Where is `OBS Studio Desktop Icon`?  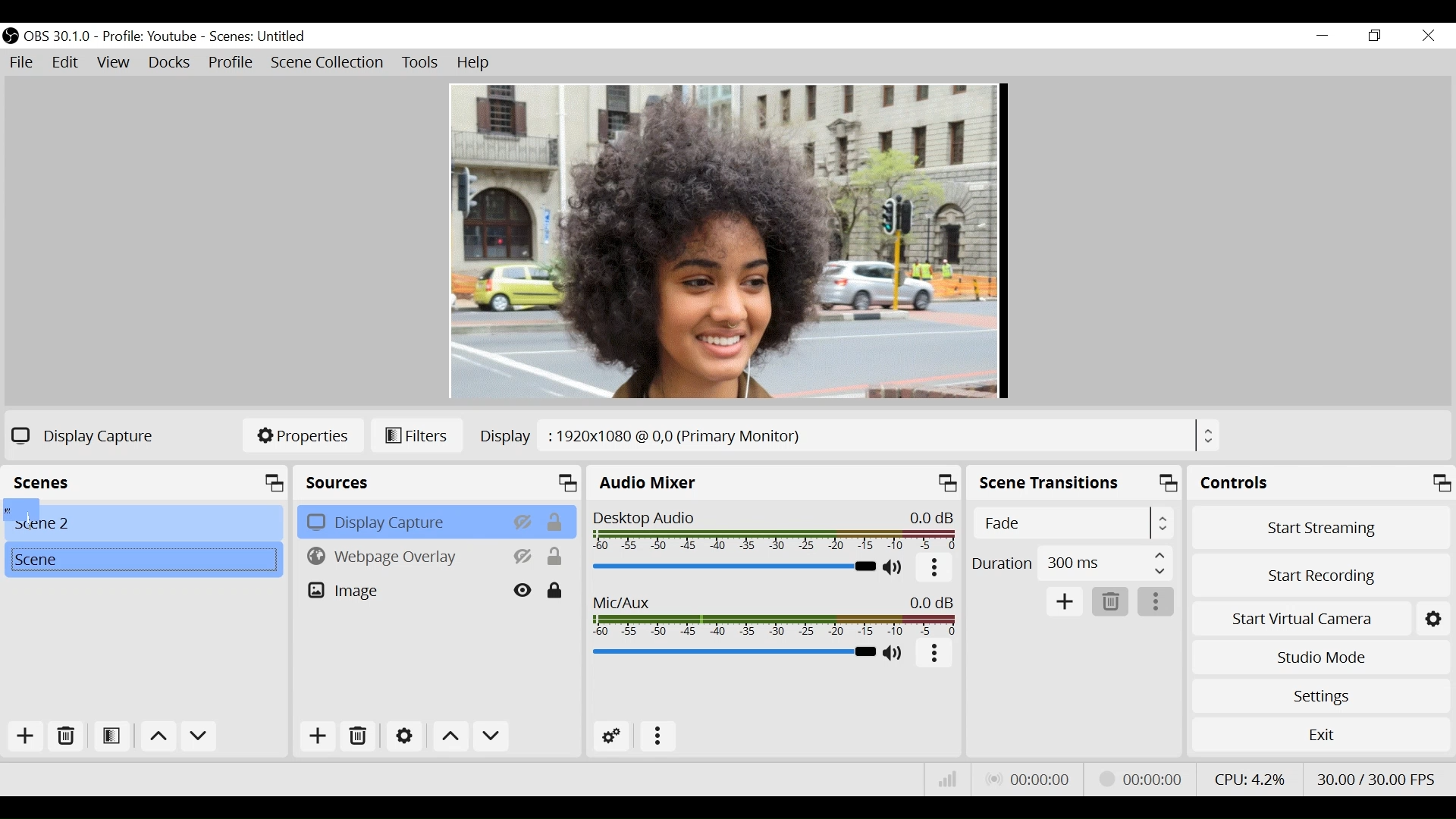
OBS Studio Desktop Icon is located at coordinates (11, 37).